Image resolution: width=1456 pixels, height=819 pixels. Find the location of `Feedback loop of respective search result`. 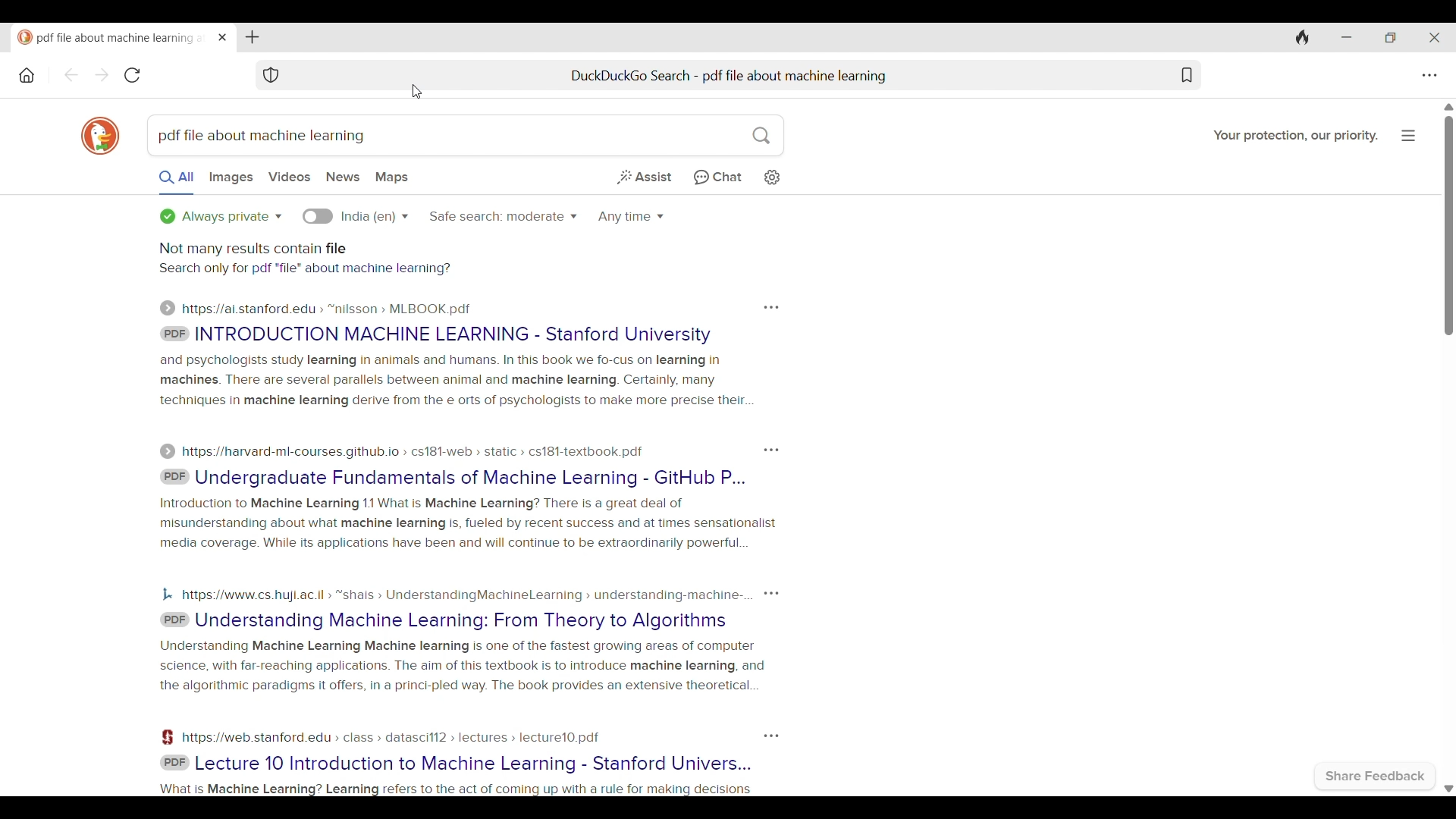

Feedback loop of respective search result is located at coordinates (770, 736).